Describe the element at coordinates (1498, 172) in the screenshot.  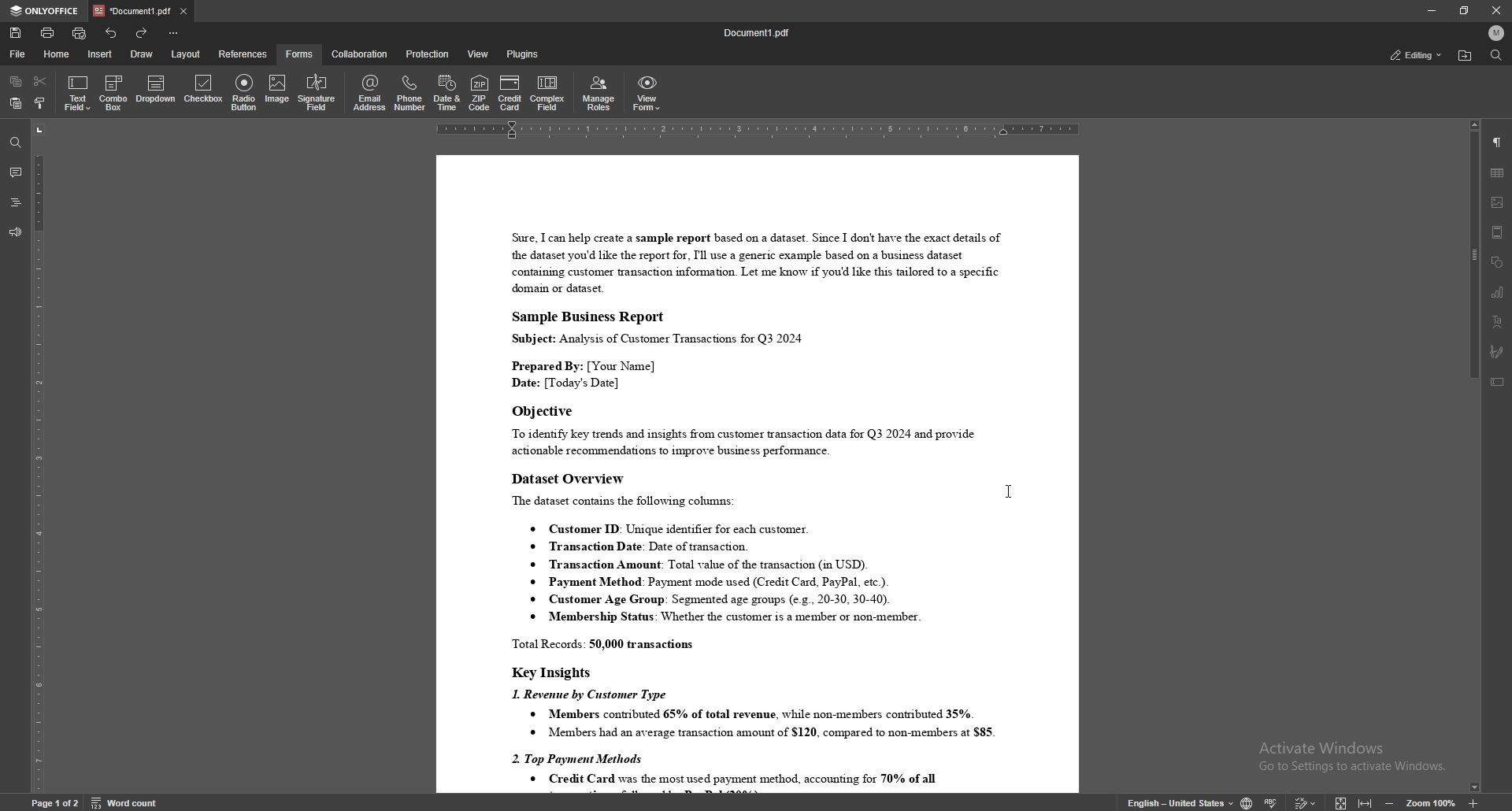
I see `table` at that location.